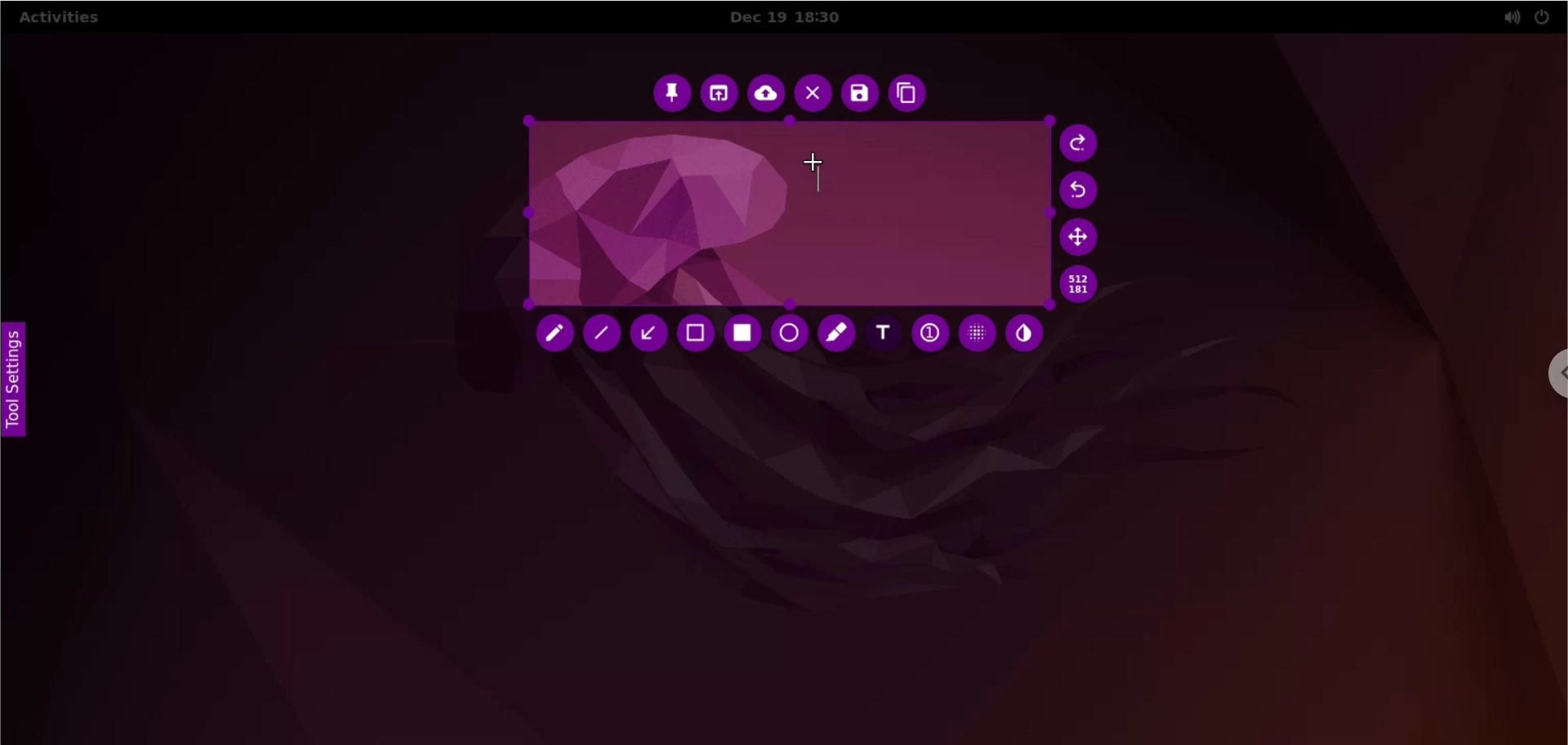  What do you see at coordinates (24, 384) in the screenshot?
I see `tool settings` at bounding box center [24, 384].